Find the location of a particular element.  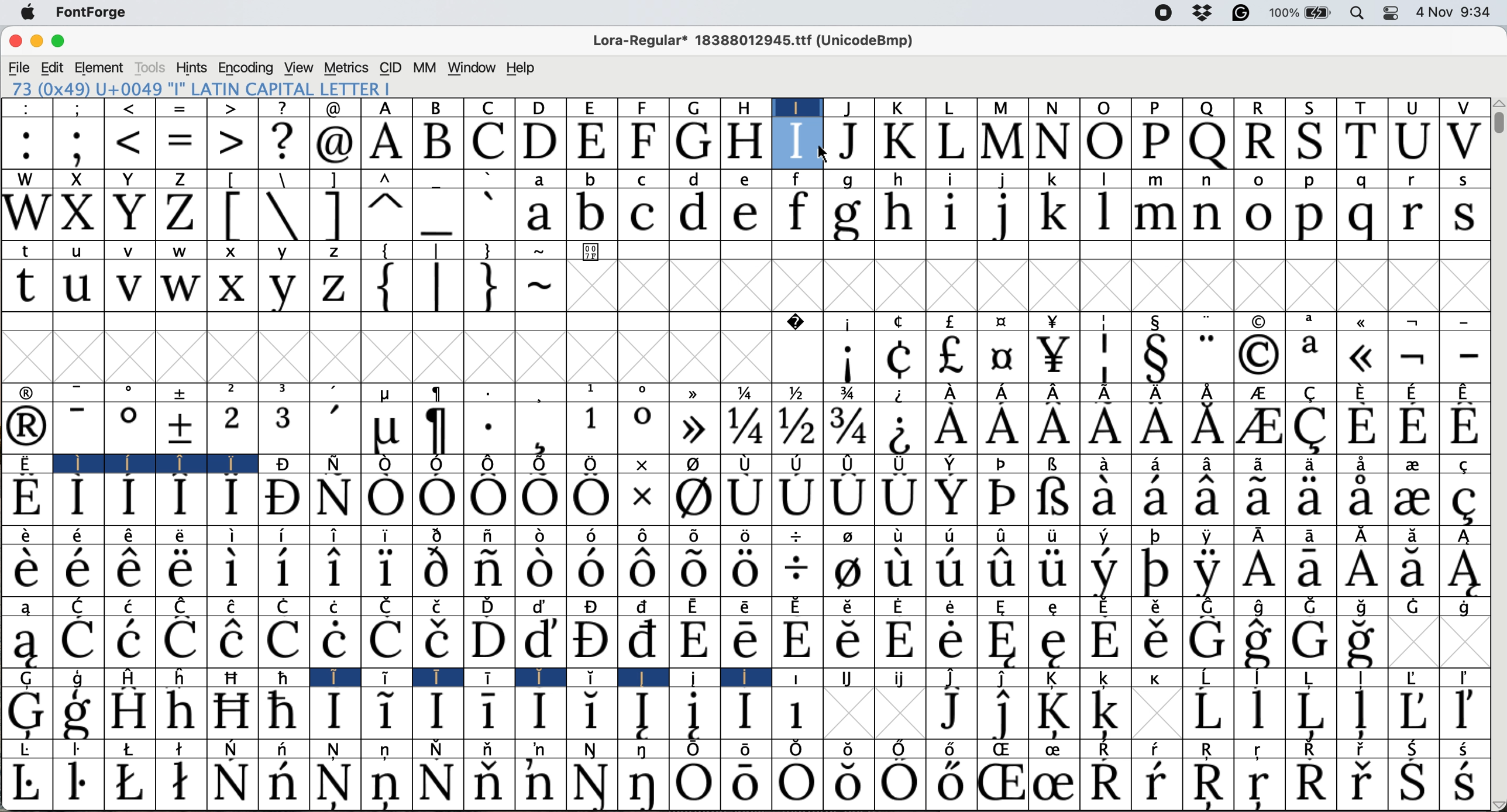

Symbol is located at coordinates (1005, 607).